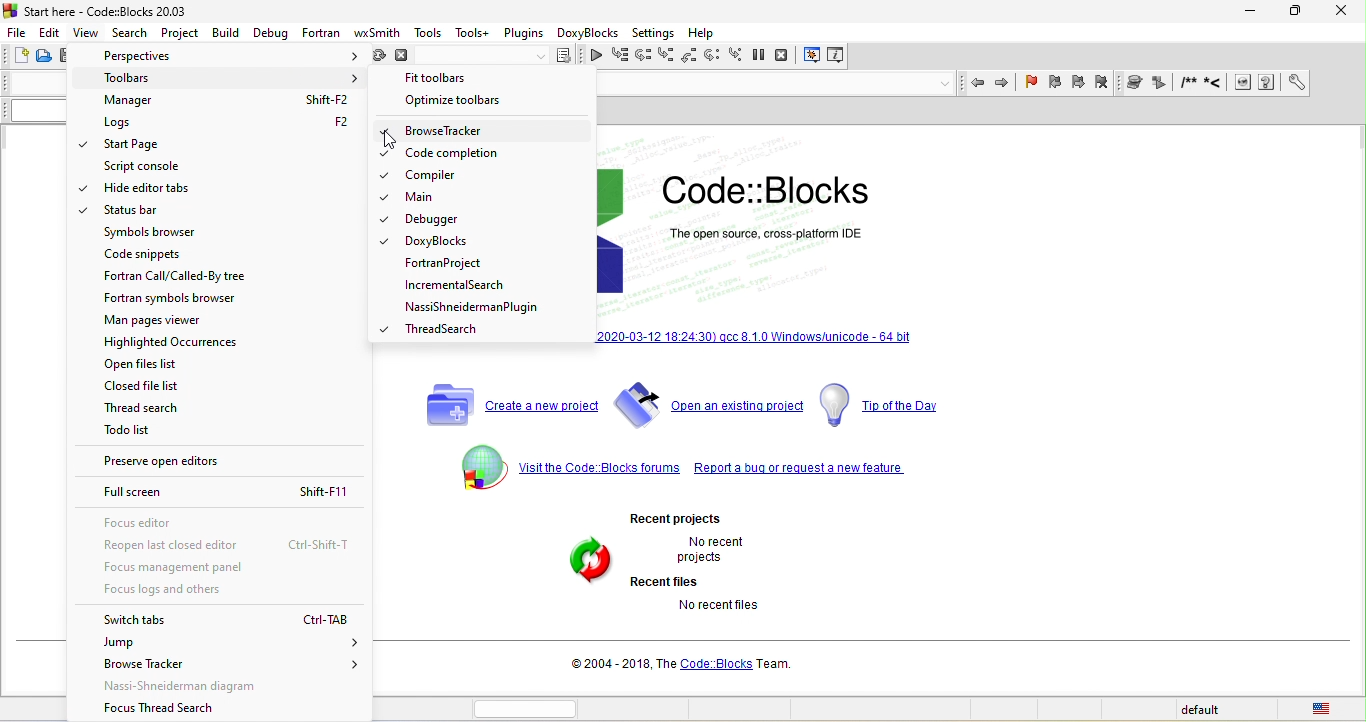 This screenshot has width=1366, height=722. I want to click on rebuild, so click(377, 59).